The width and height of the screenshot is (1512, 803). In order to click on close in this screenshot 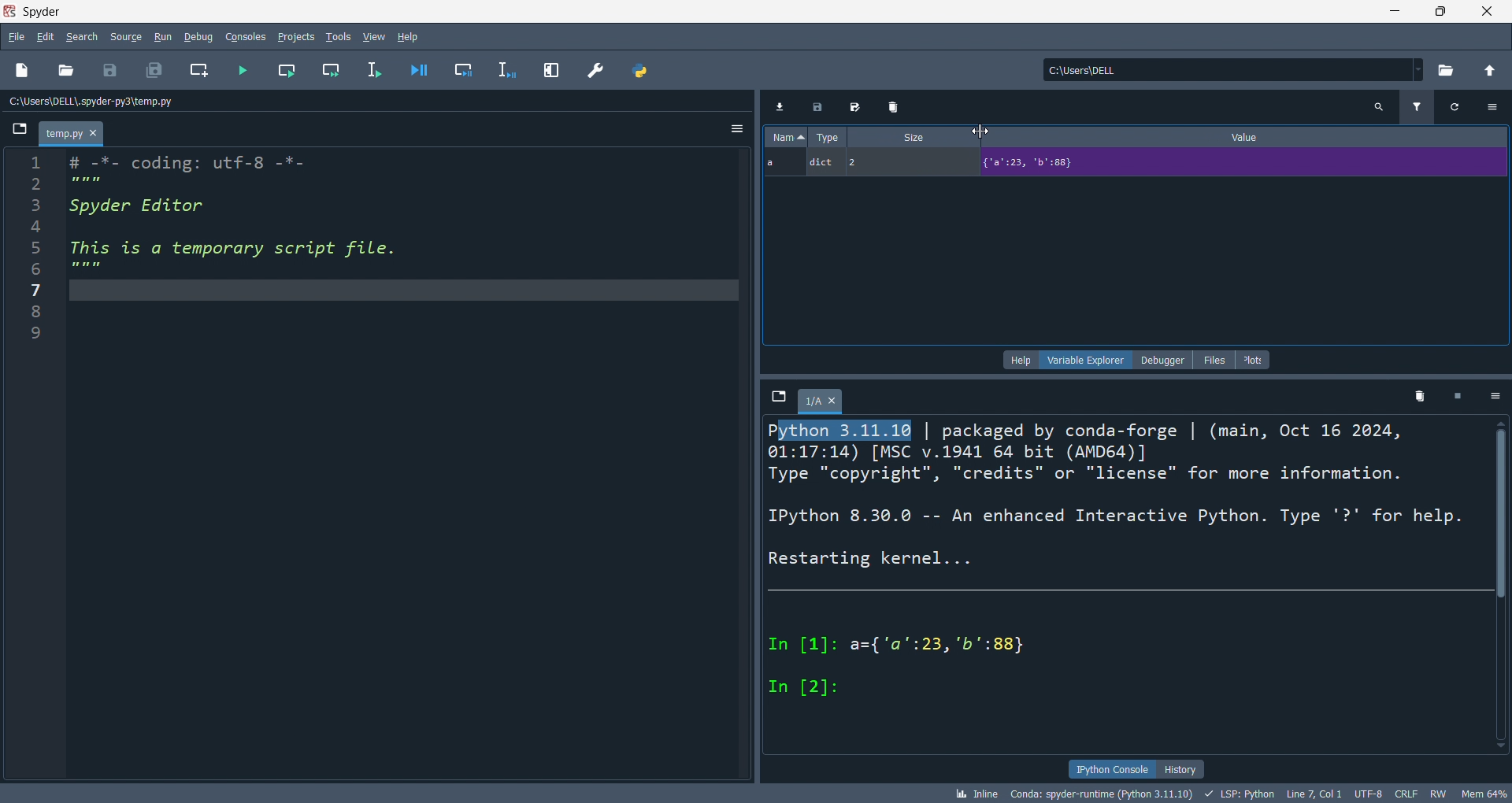, I will do `click(1488, 12)`.